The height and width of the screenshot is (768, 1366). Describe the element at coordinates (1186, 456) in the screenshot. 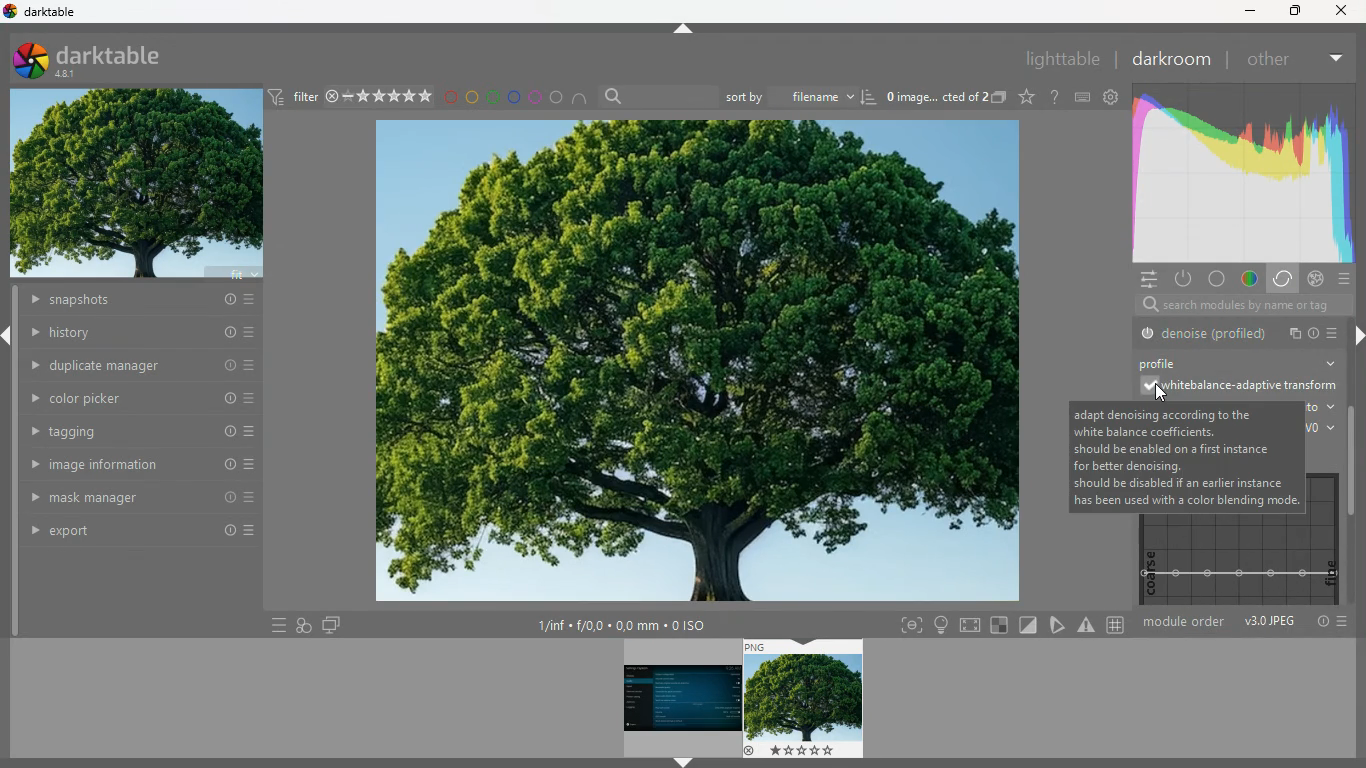

I see `description` at that location.